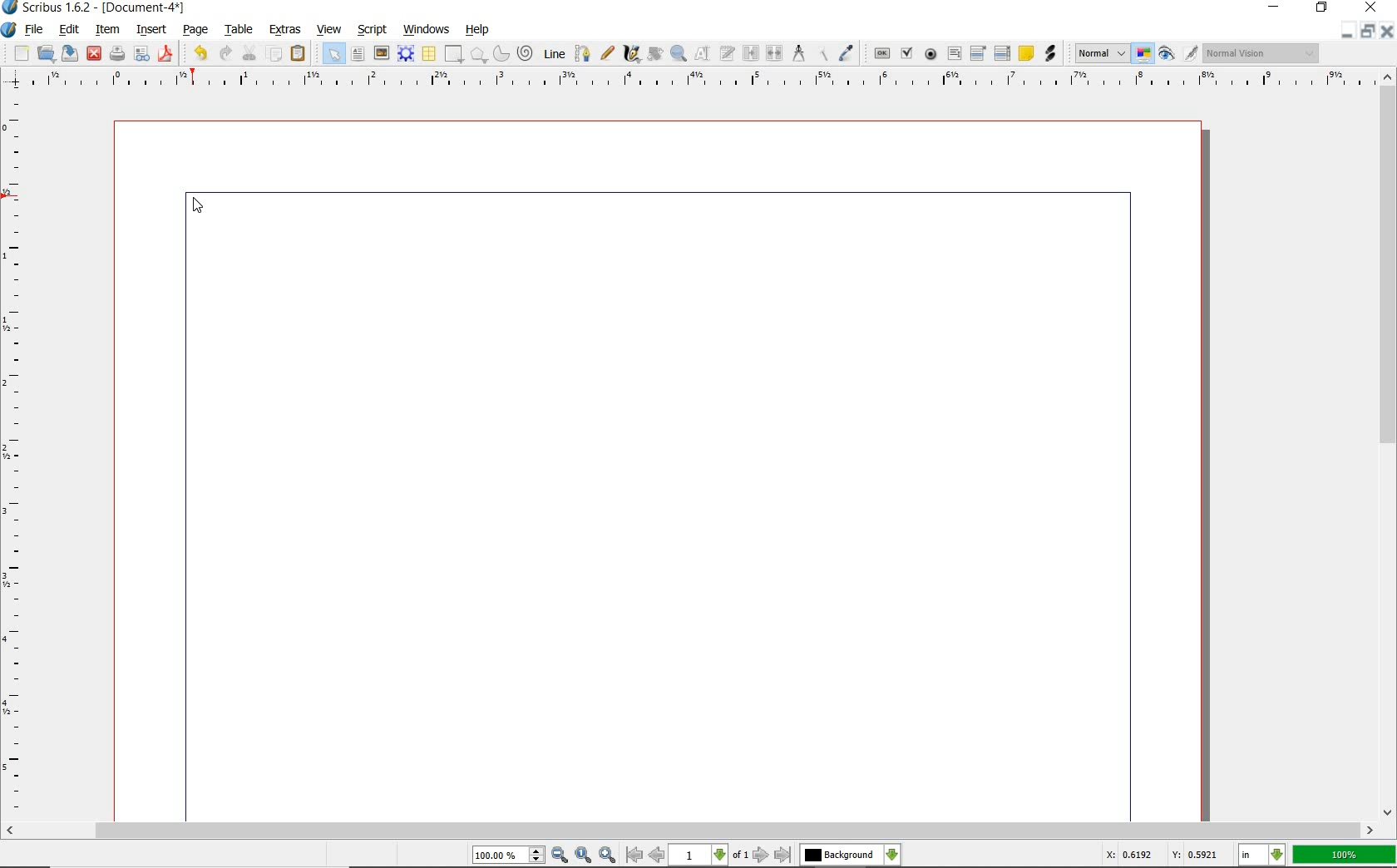 The image size is (1397, 868). What do you see at coordinates (454, 55) in the screenshot?
I see `shape` at bounding box center [454, 55].